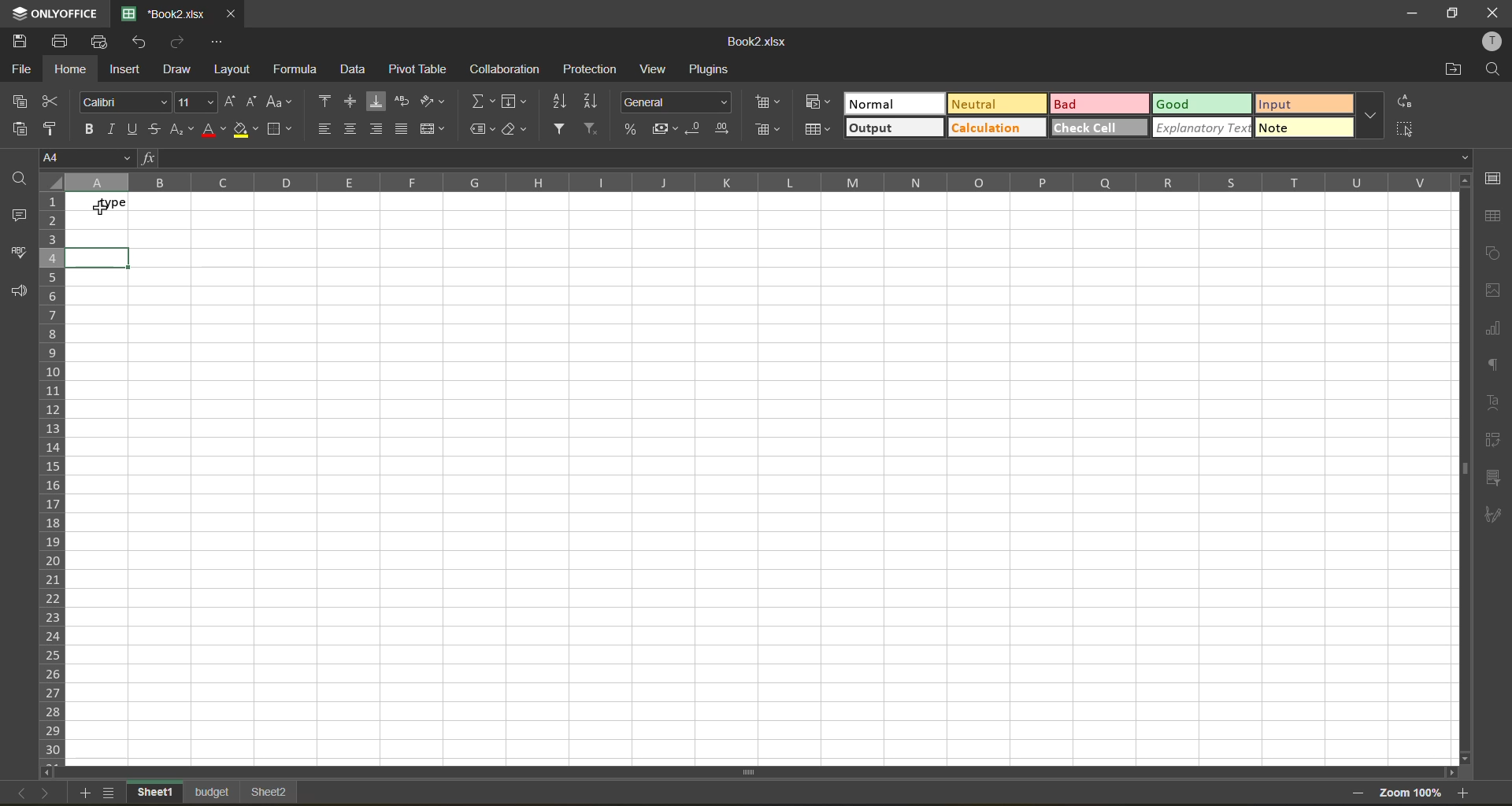 This screenshot has width=1512, height=806. What do you see at coordinates (21, 181) in the screenshot?
I see `find` at bounding box center [21, 181].